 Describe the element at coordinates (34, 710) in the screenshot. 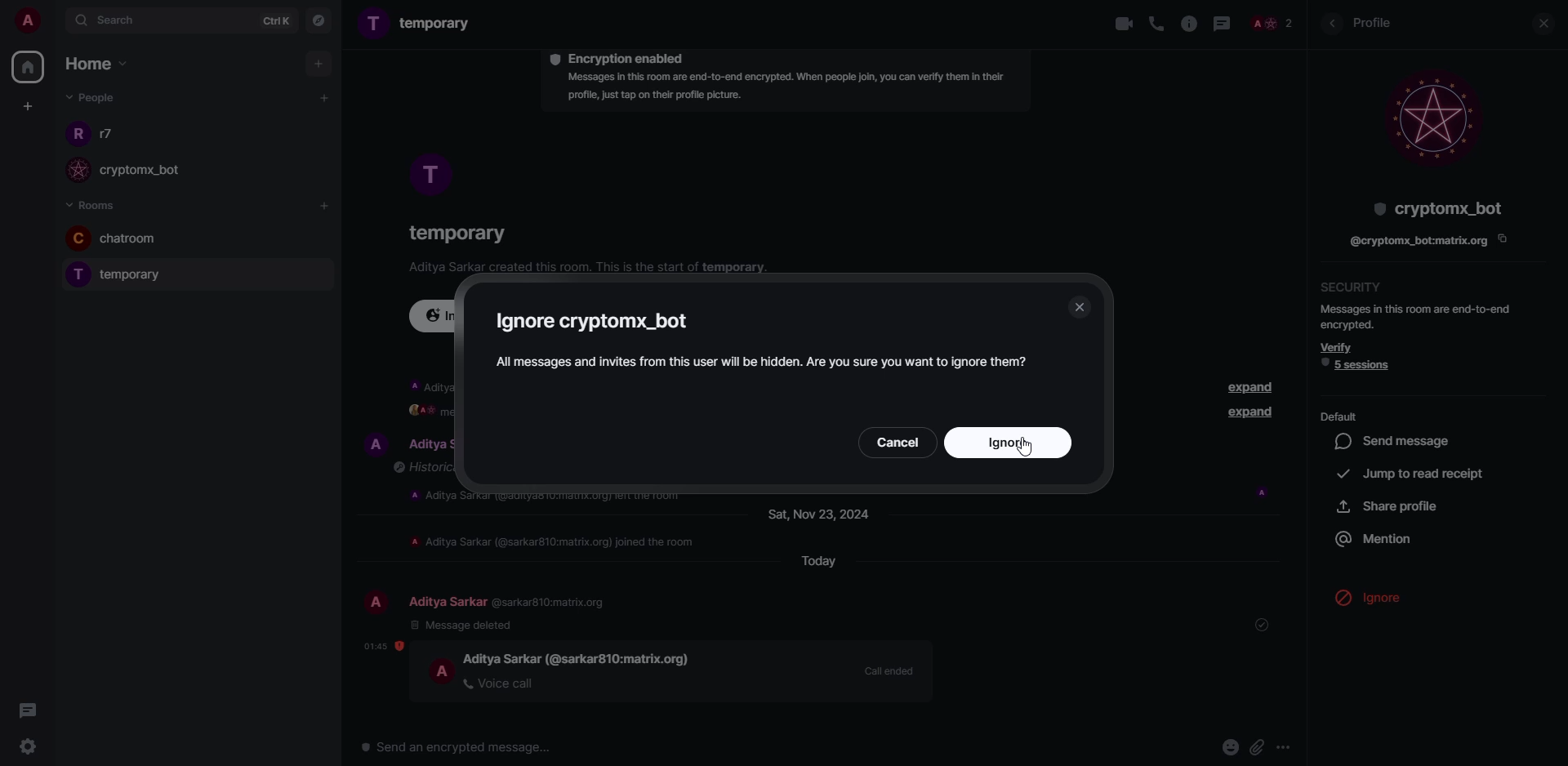

I see `threads` at that location.